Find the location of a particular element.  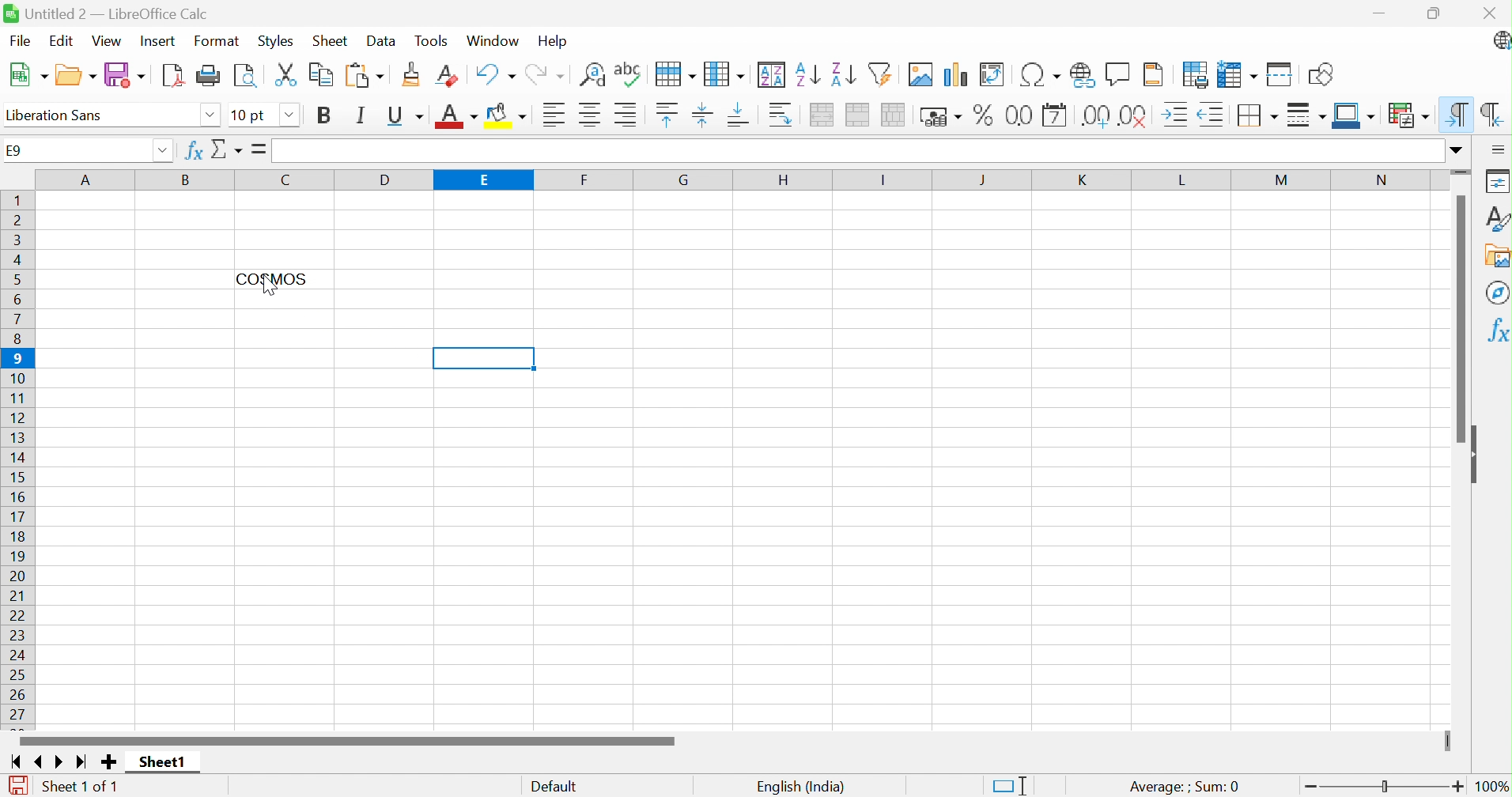

Functions is located at coordinates (1495, 331).